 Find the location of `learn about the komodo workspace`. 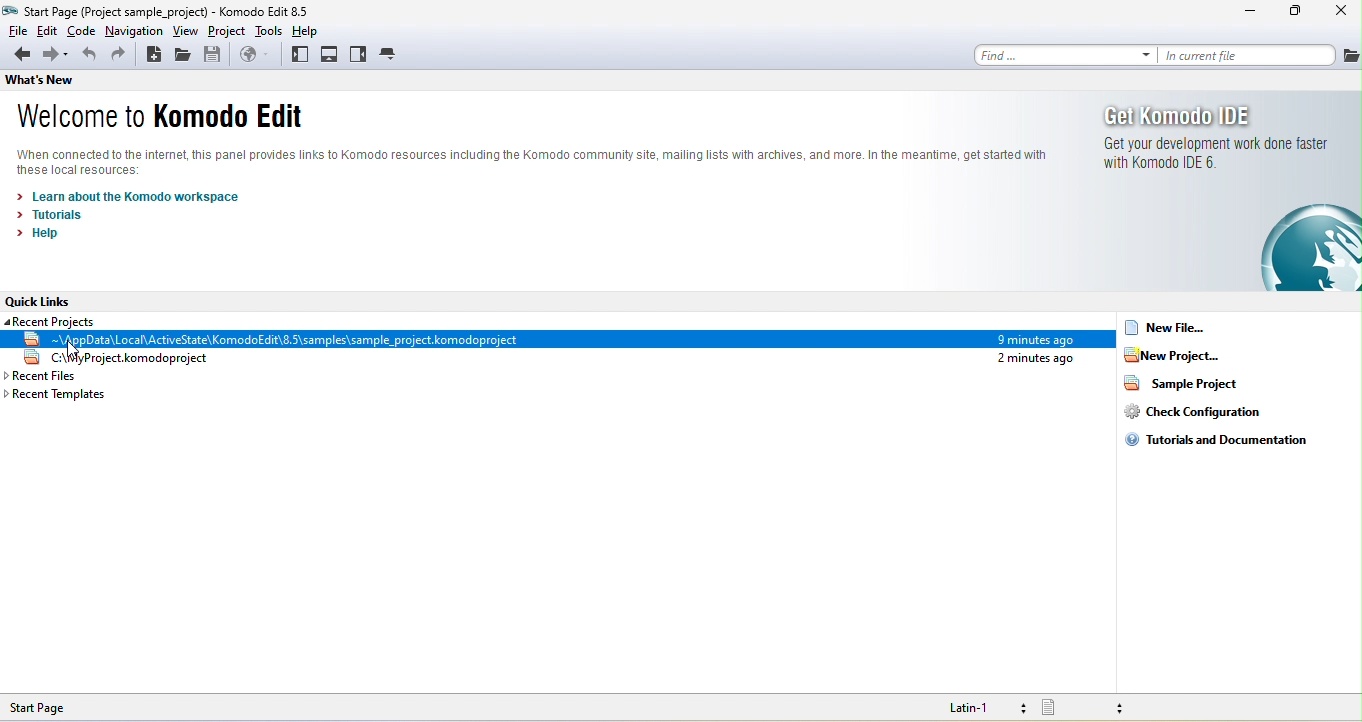

learn about the komodo workspace is located at coordinates (146, 196).